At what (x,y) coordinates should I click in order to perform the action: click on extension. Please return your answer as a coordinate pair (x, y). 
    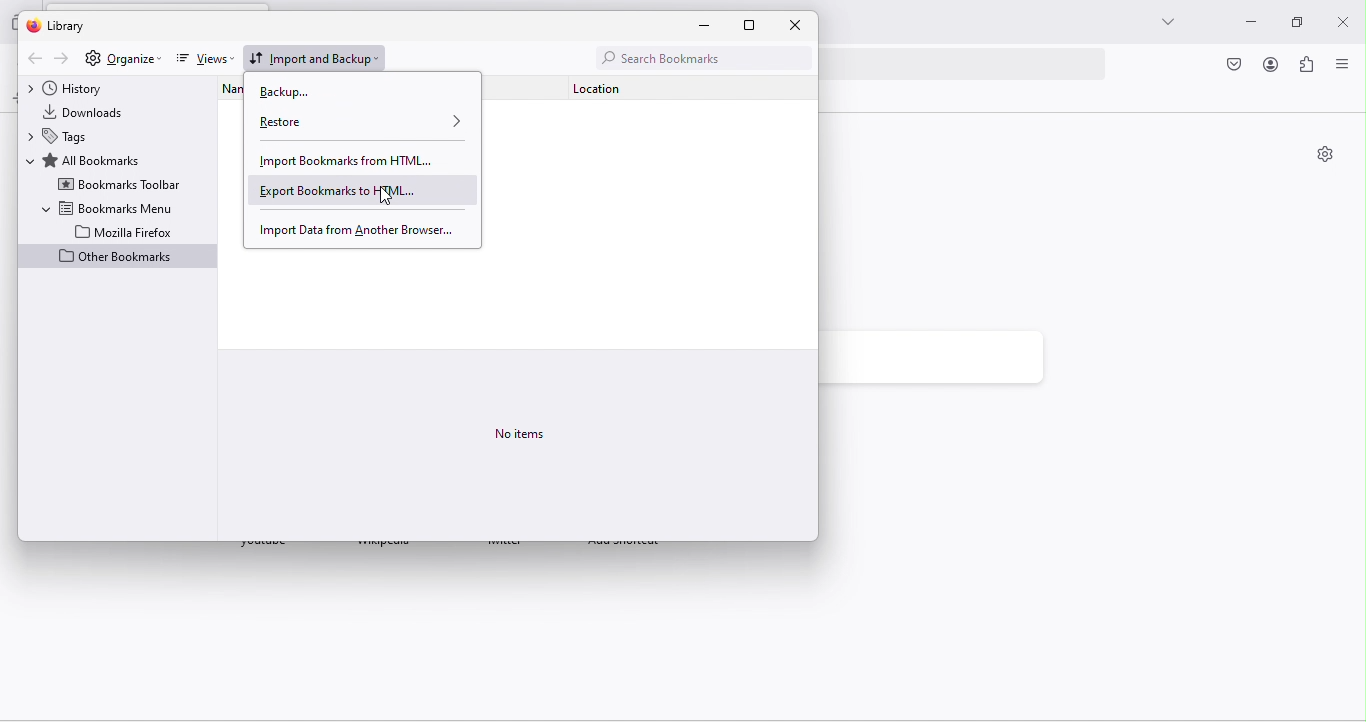
    Looking at the image, I should click on (1307, 67).